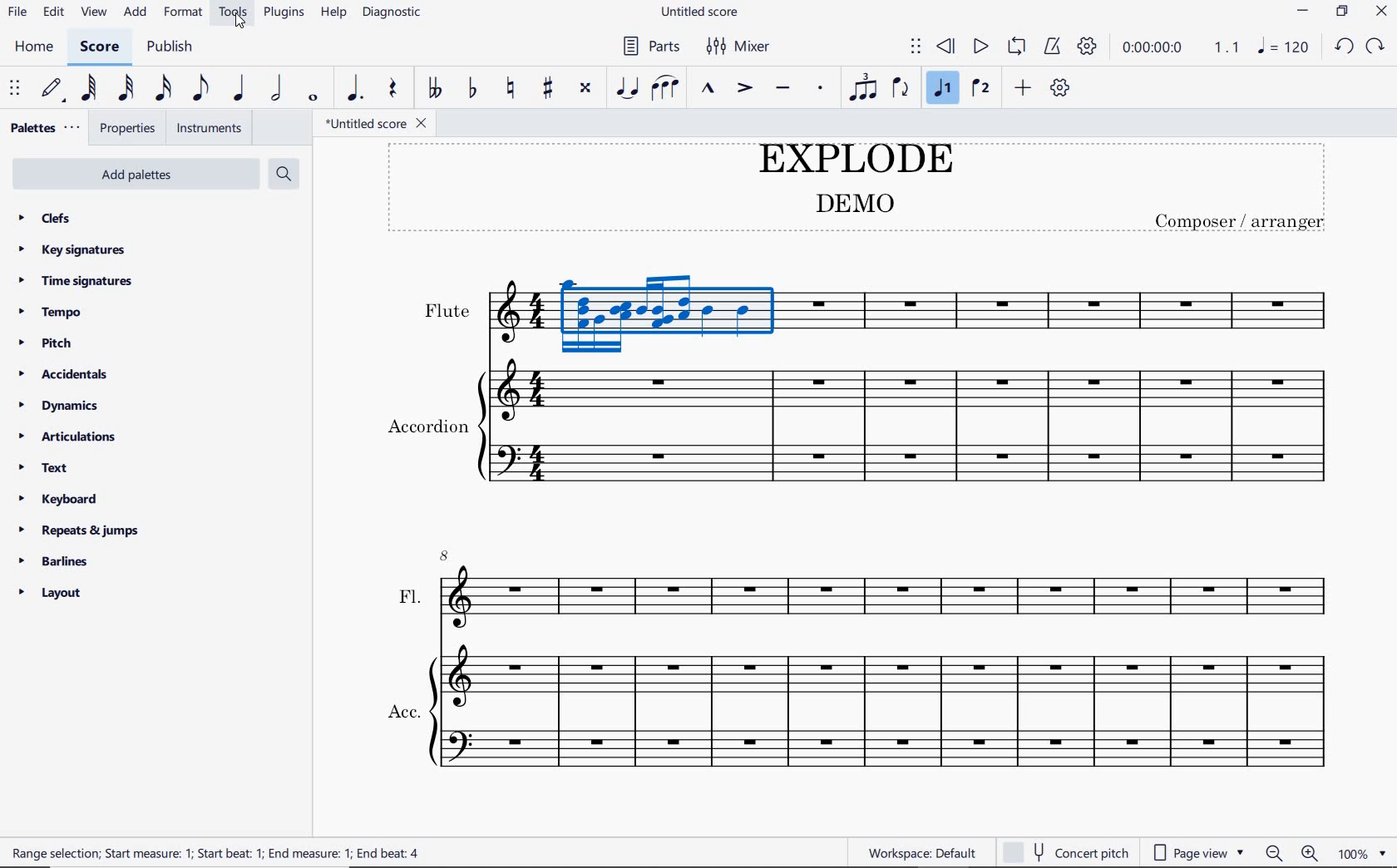  What do you see at coordinates (333, 12) in the screenshot?
I see `help` at bounding box center [333, 12].